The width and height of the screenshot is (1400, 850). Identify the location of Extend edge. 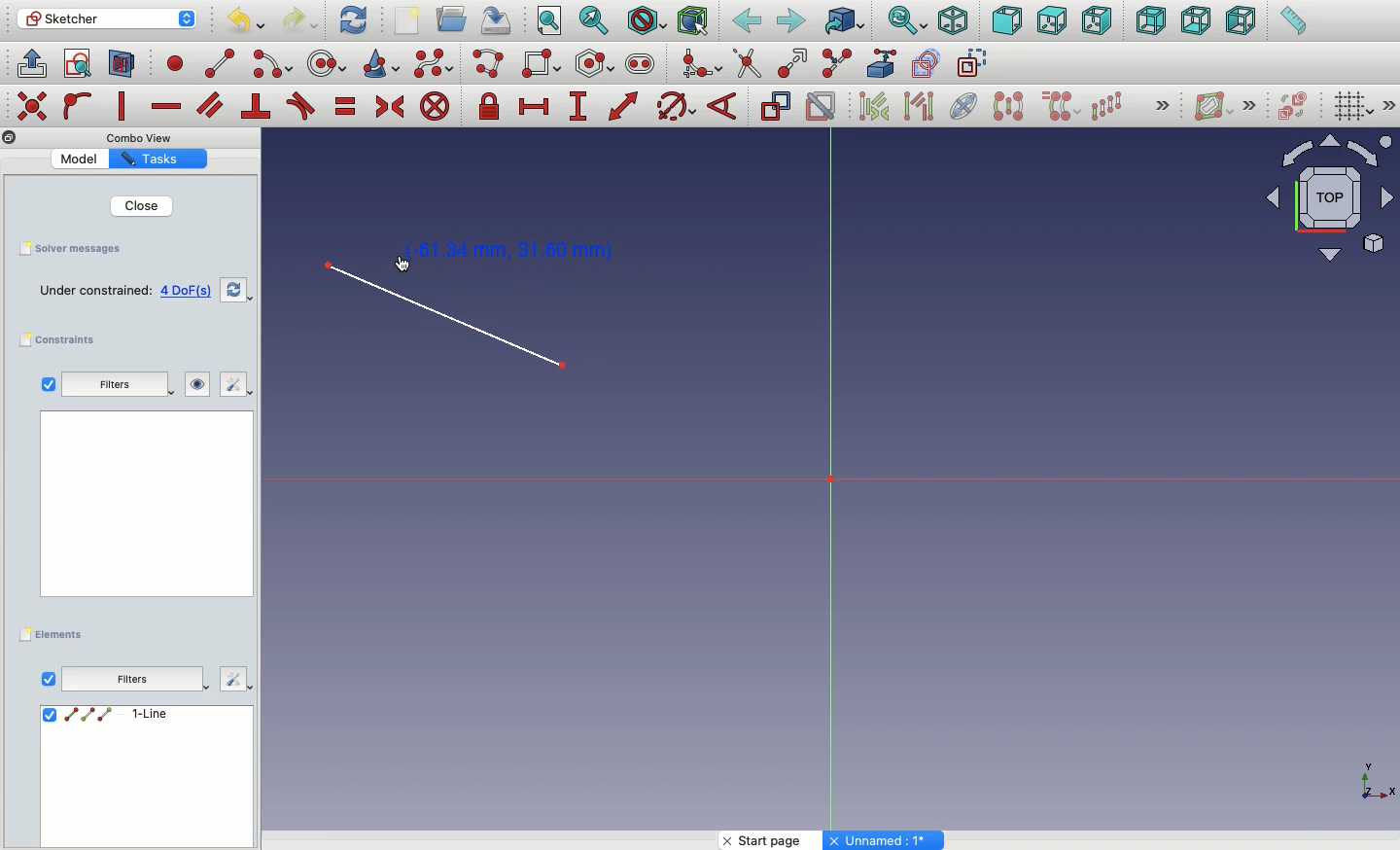
(796, 61).